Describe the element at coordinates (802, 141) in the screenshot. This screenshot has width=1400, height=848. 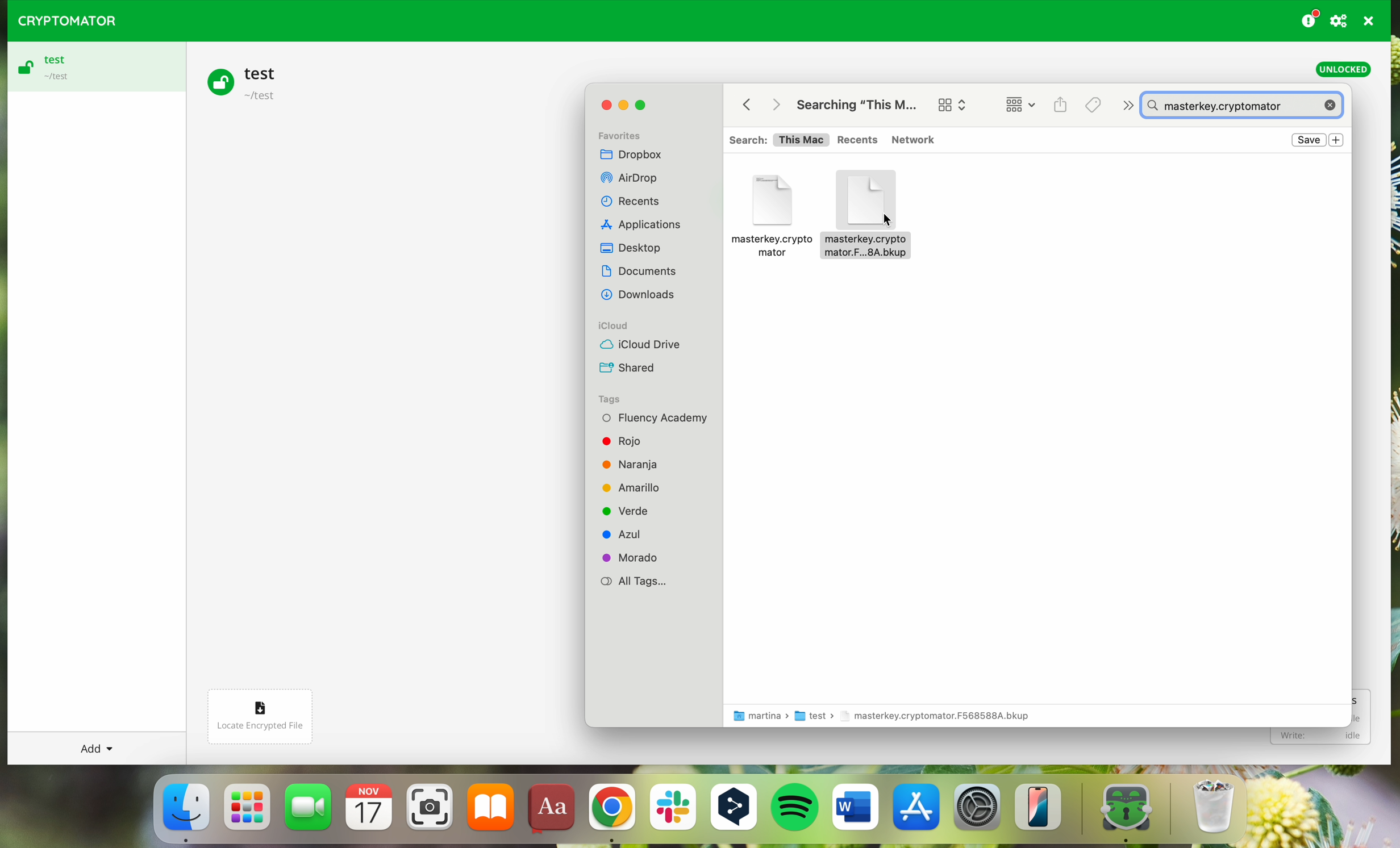
I see `This Mac` at that location.